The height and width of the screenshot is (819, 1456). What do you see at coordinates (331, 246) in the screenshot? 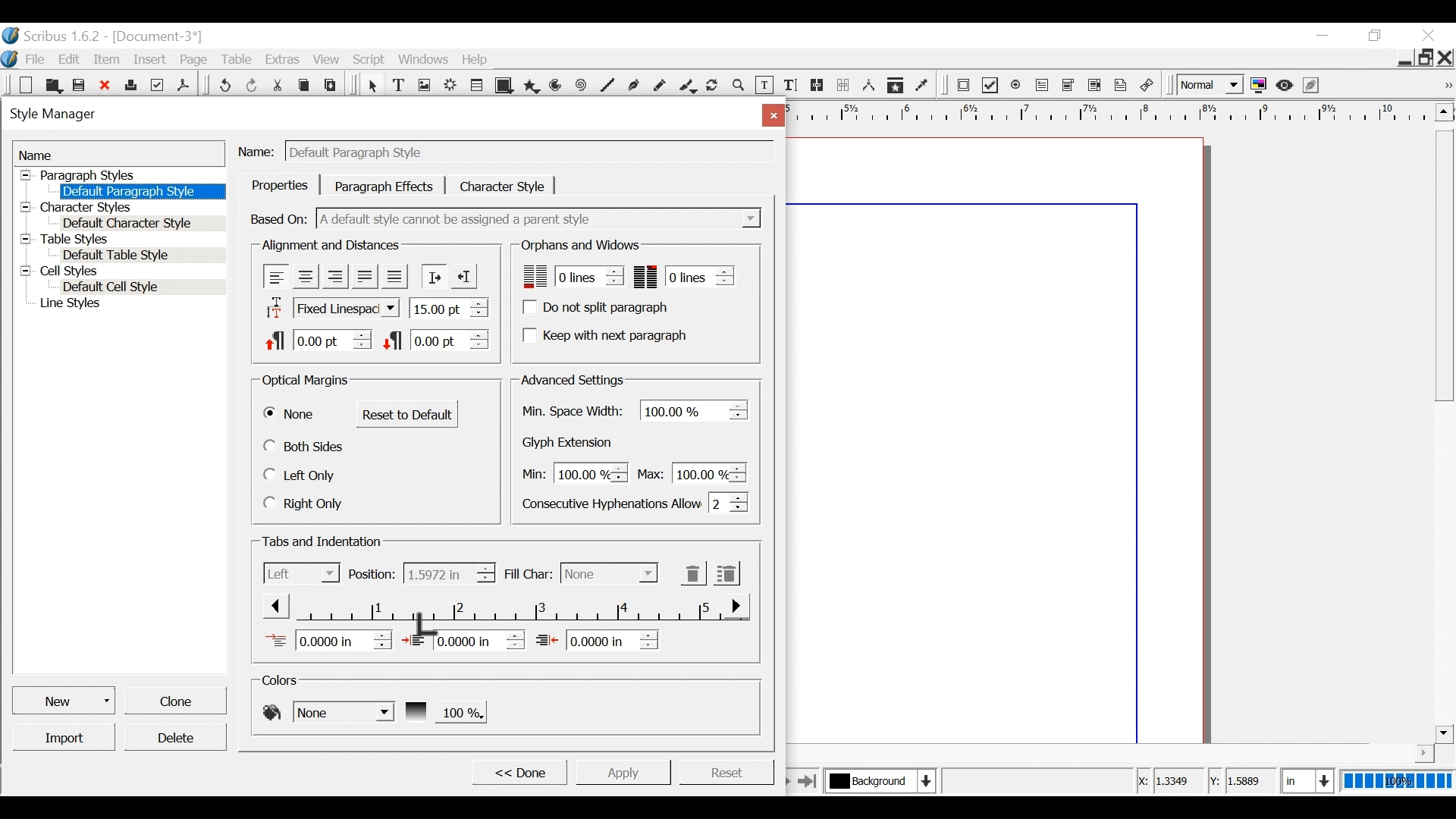
I see `Alignment and Distances` at bounding box center [331, 246].